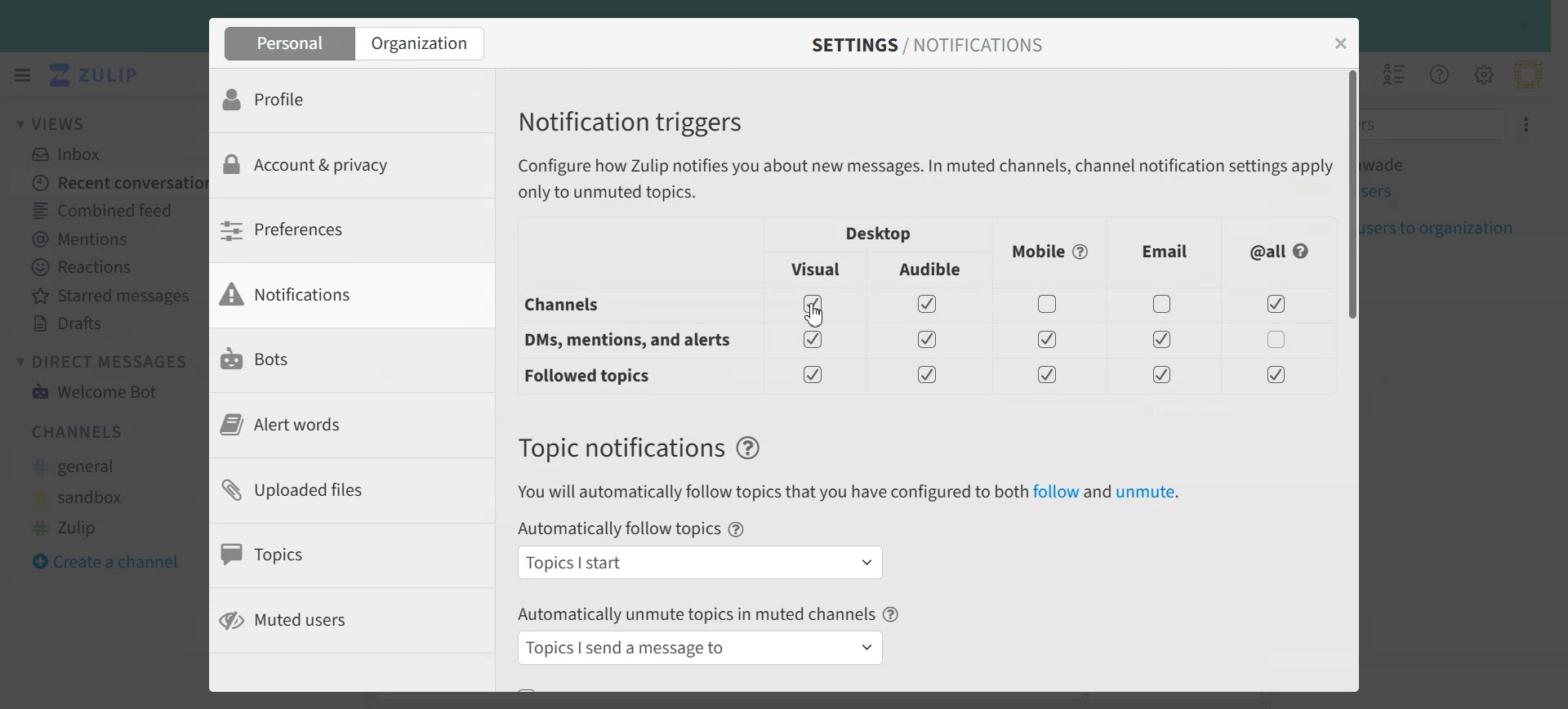  I want to click on All, so click(1281, 252).